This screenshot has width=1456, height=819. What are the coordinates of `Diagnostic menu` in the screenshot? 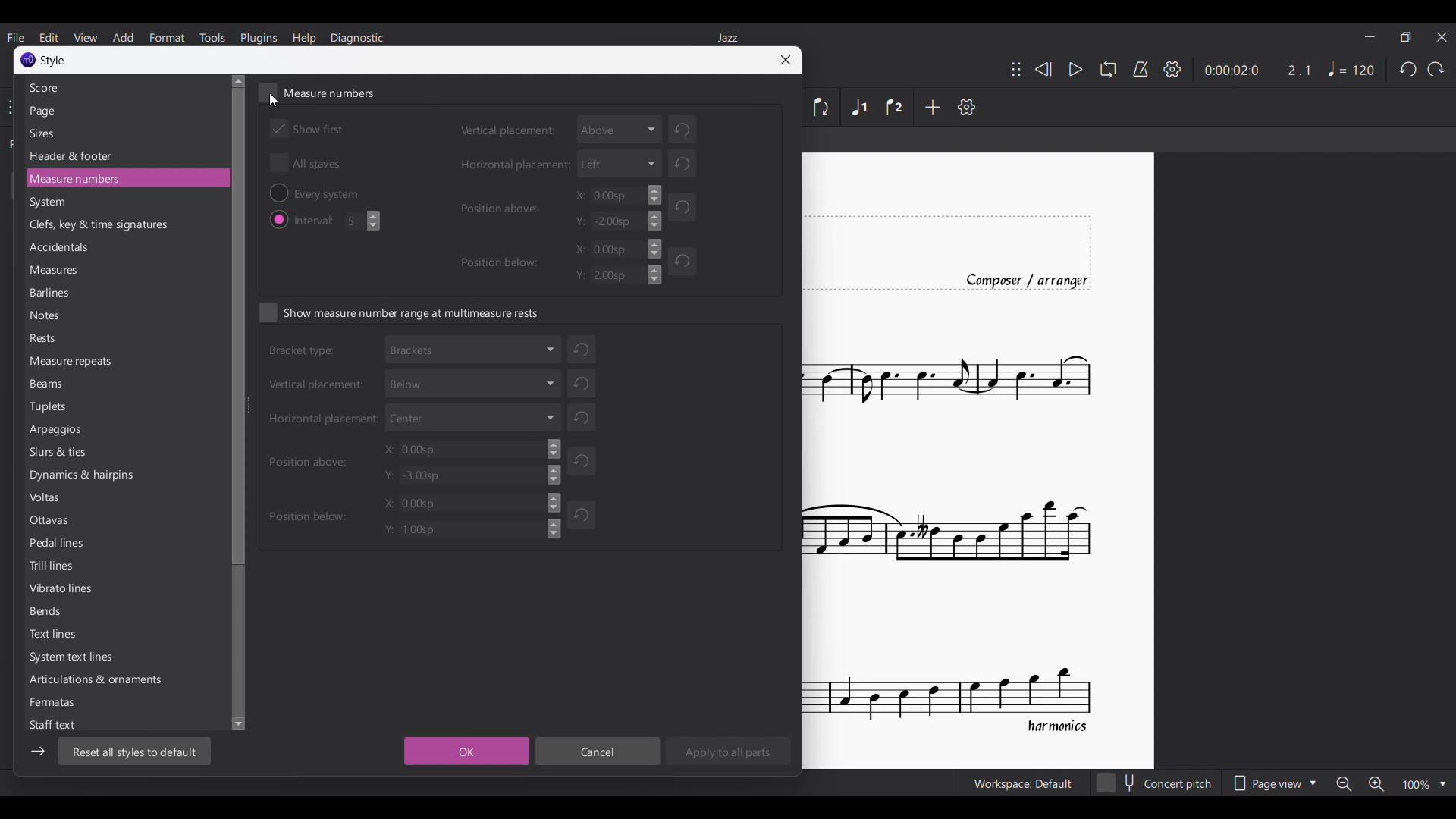 It's located at (356, 39).